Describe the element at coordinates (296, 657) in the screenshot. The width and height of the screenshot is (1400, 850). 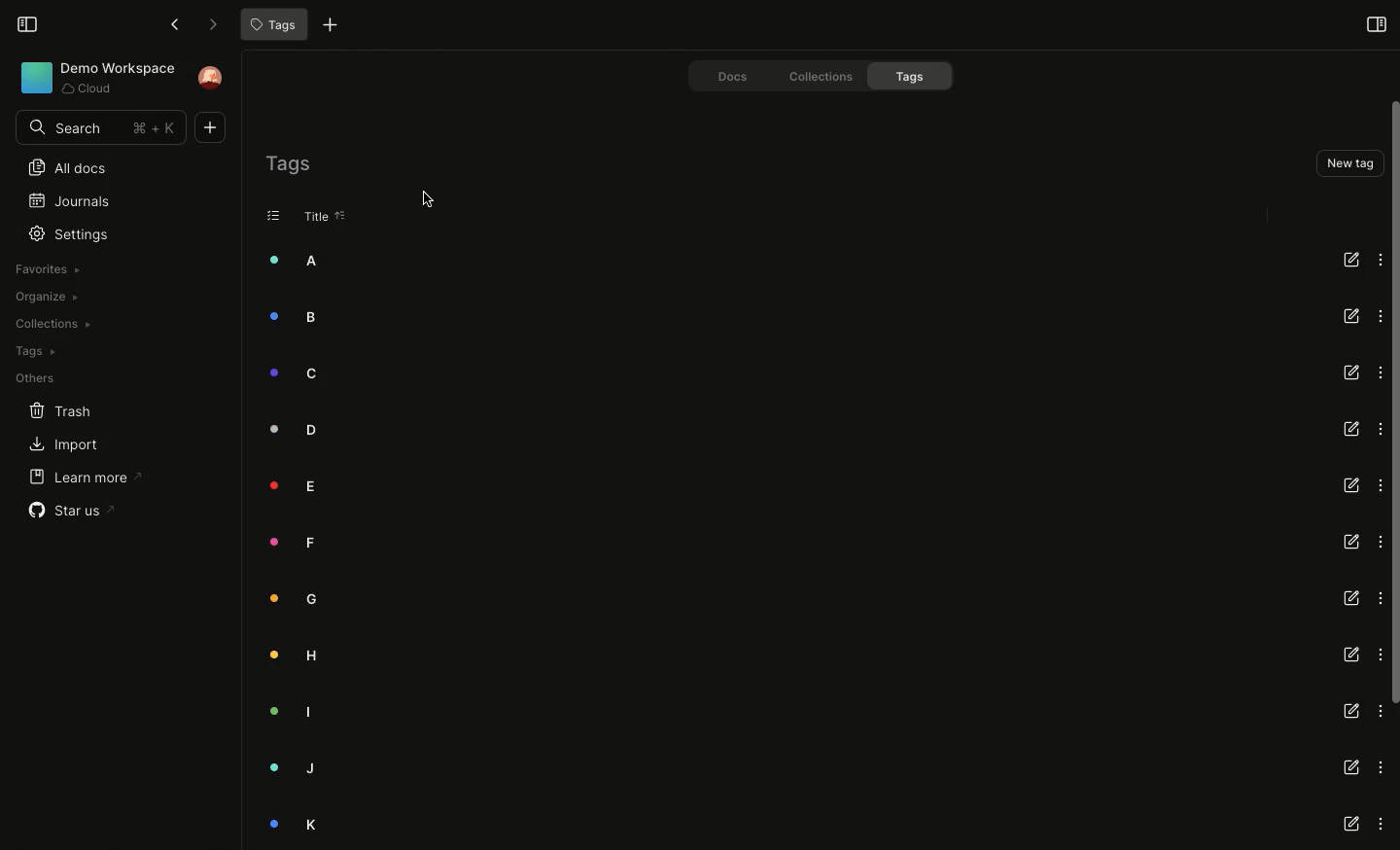
I see `H` at that location.